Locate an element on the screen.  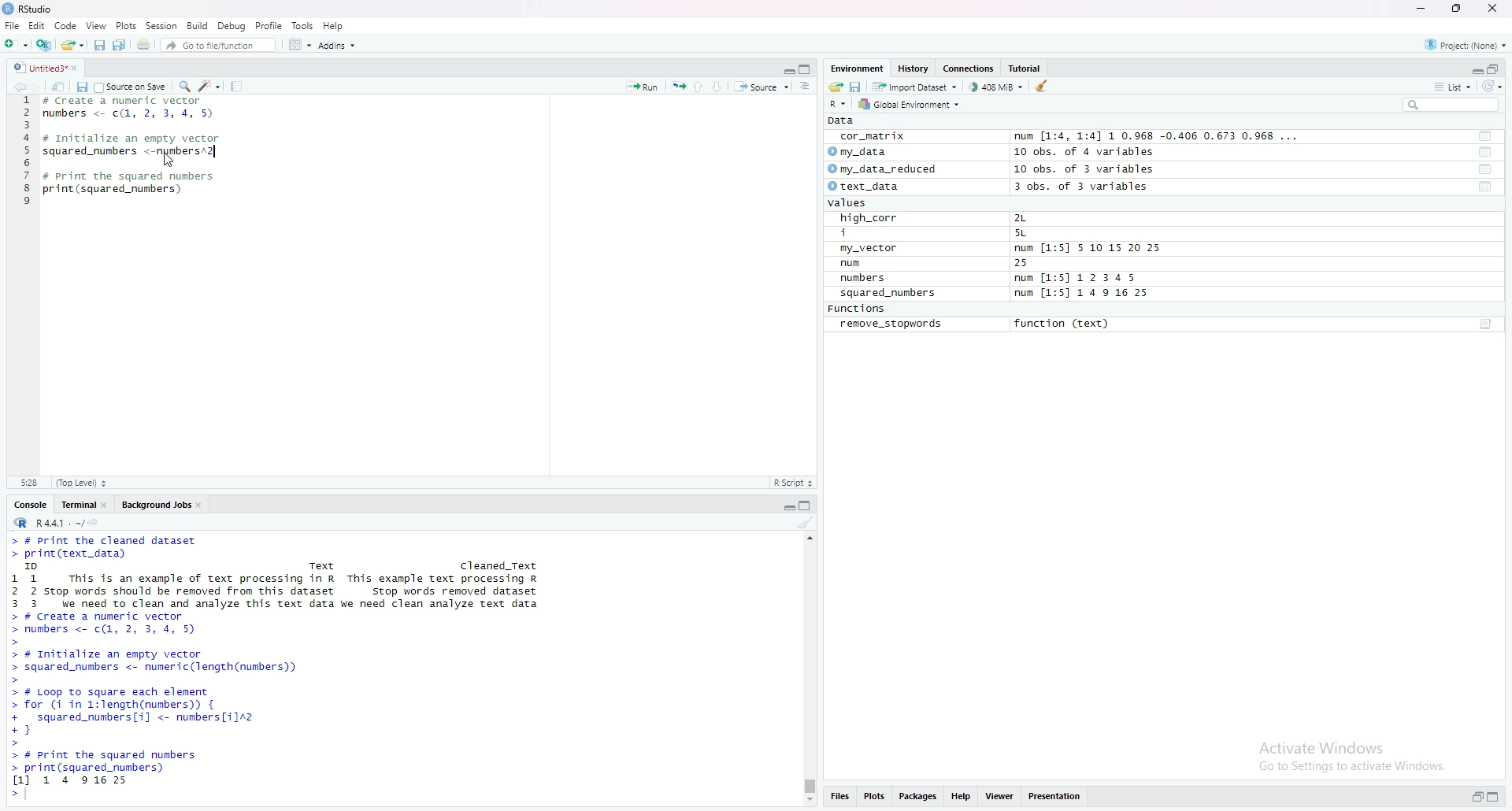
Project: (None) is located at coordinates (1467, 43).